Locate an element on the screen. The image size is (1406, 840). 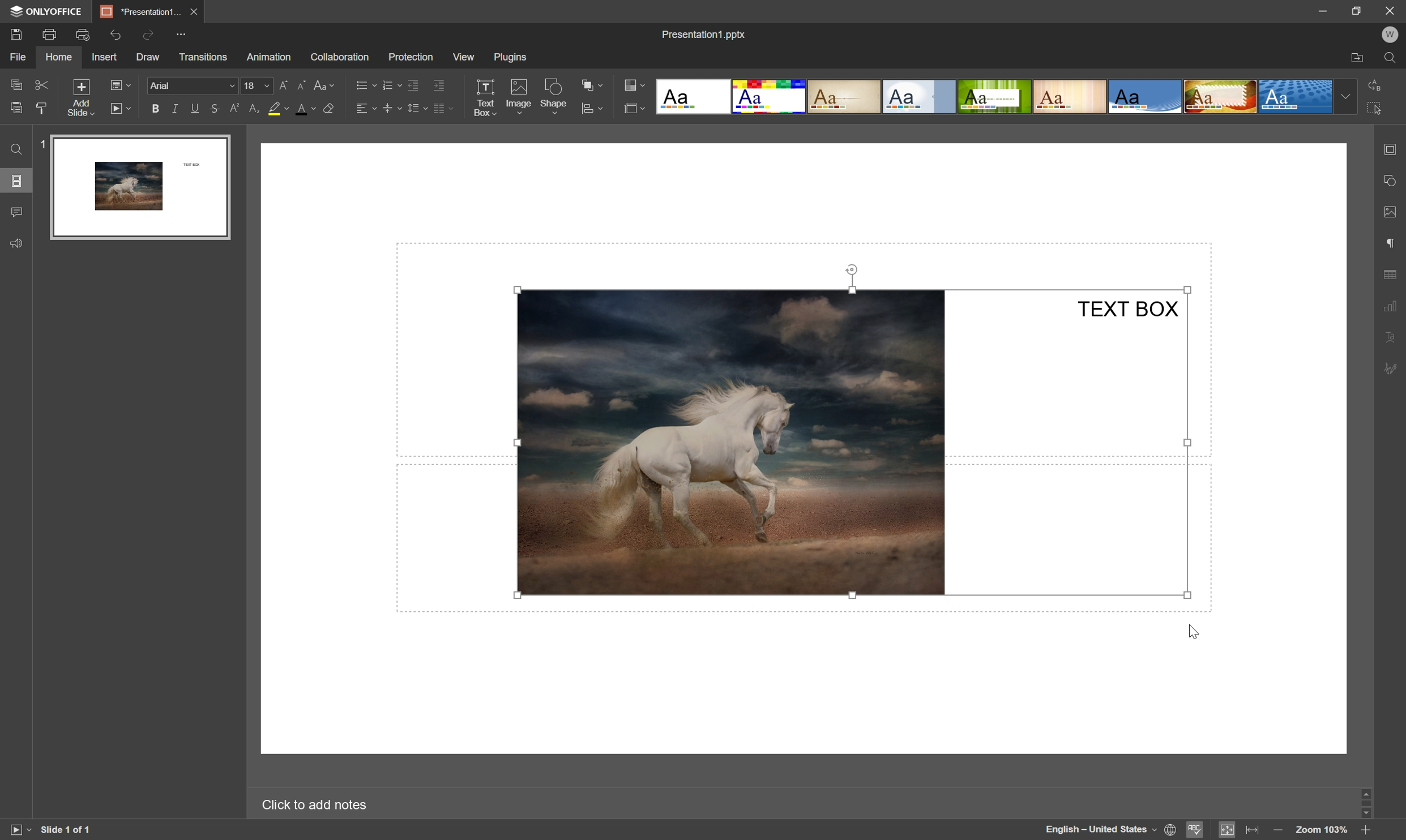
Dotted is located at coordinates (1297, 98).